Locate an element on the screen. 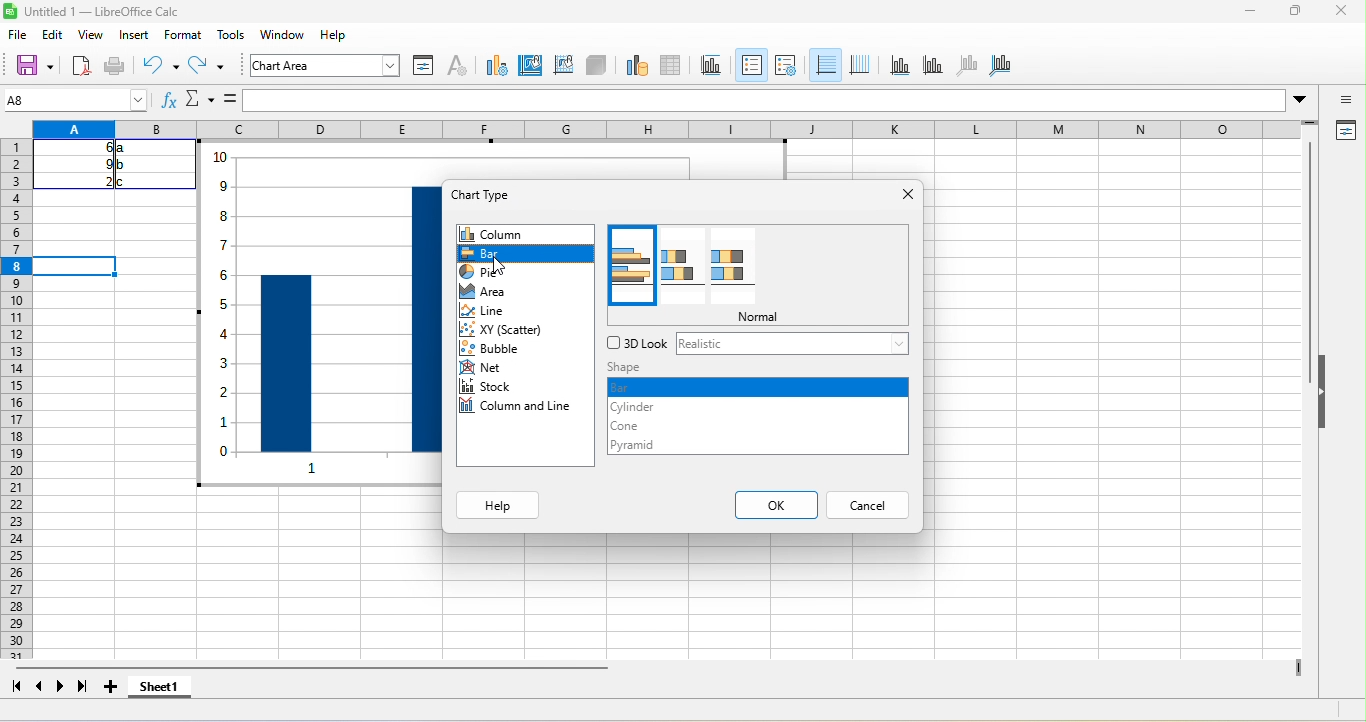  pyramid is located at coordinates (647, 446).